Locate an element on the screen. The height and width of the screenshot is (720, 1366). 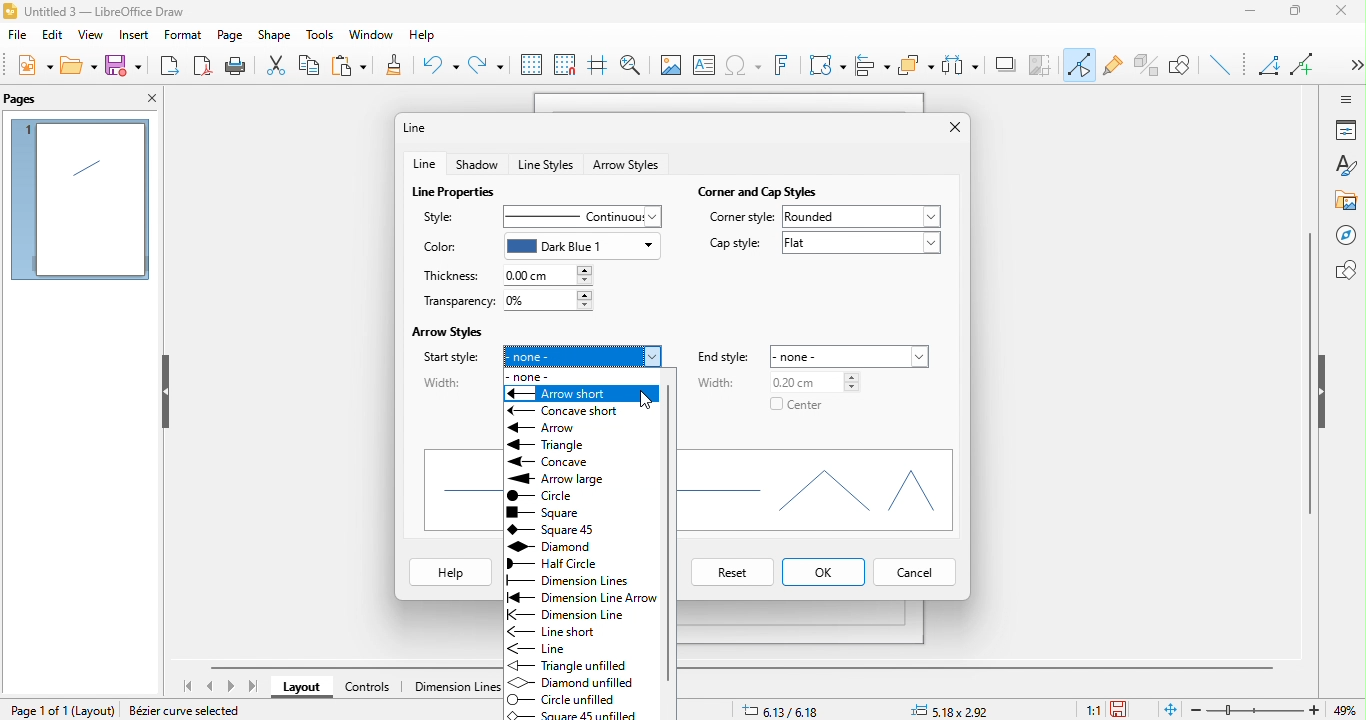
6.13/6.18 is located at coordinates (783, 710).